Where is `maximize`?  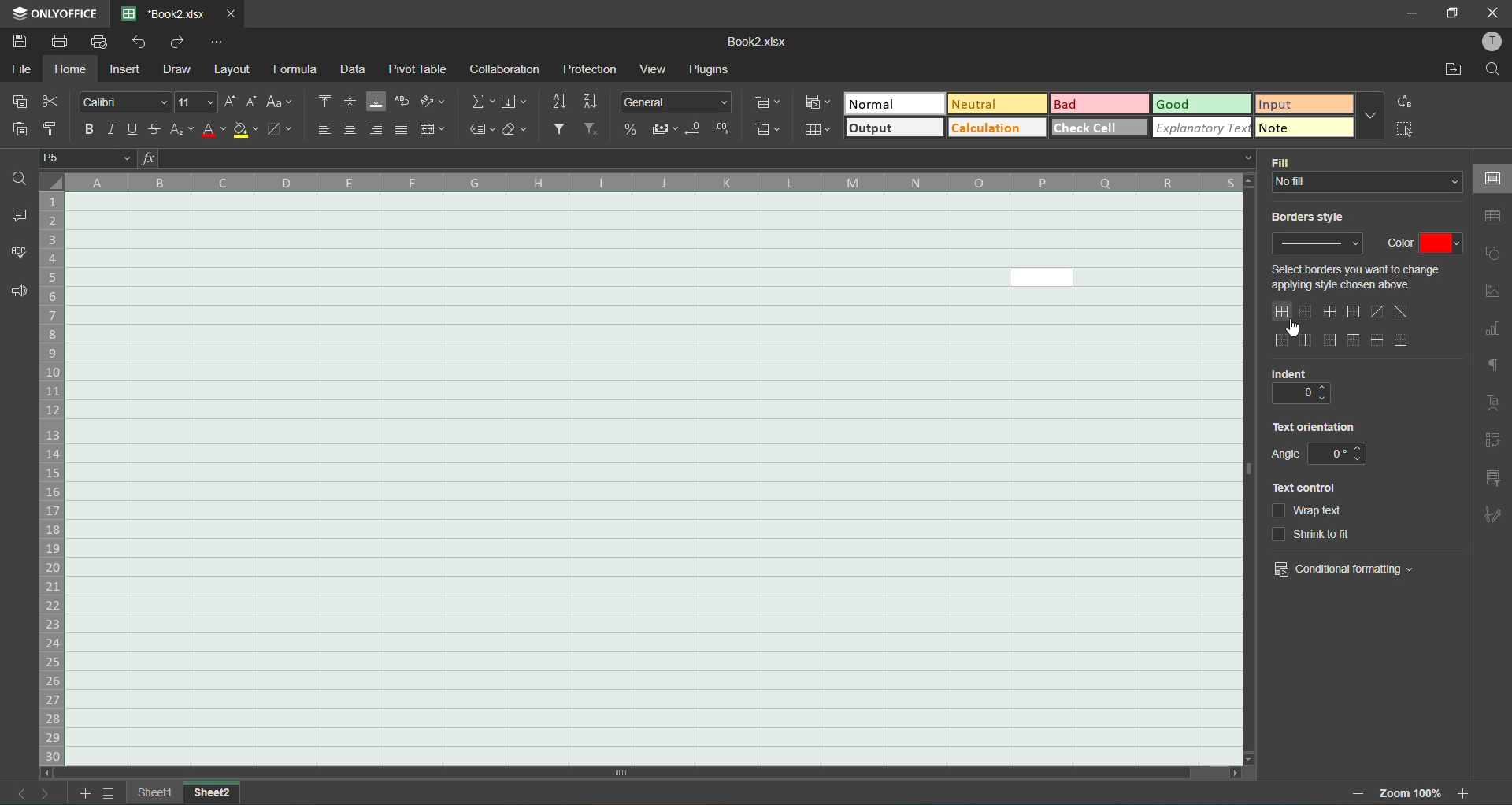 maximize is located at coordinates (1454, 12).